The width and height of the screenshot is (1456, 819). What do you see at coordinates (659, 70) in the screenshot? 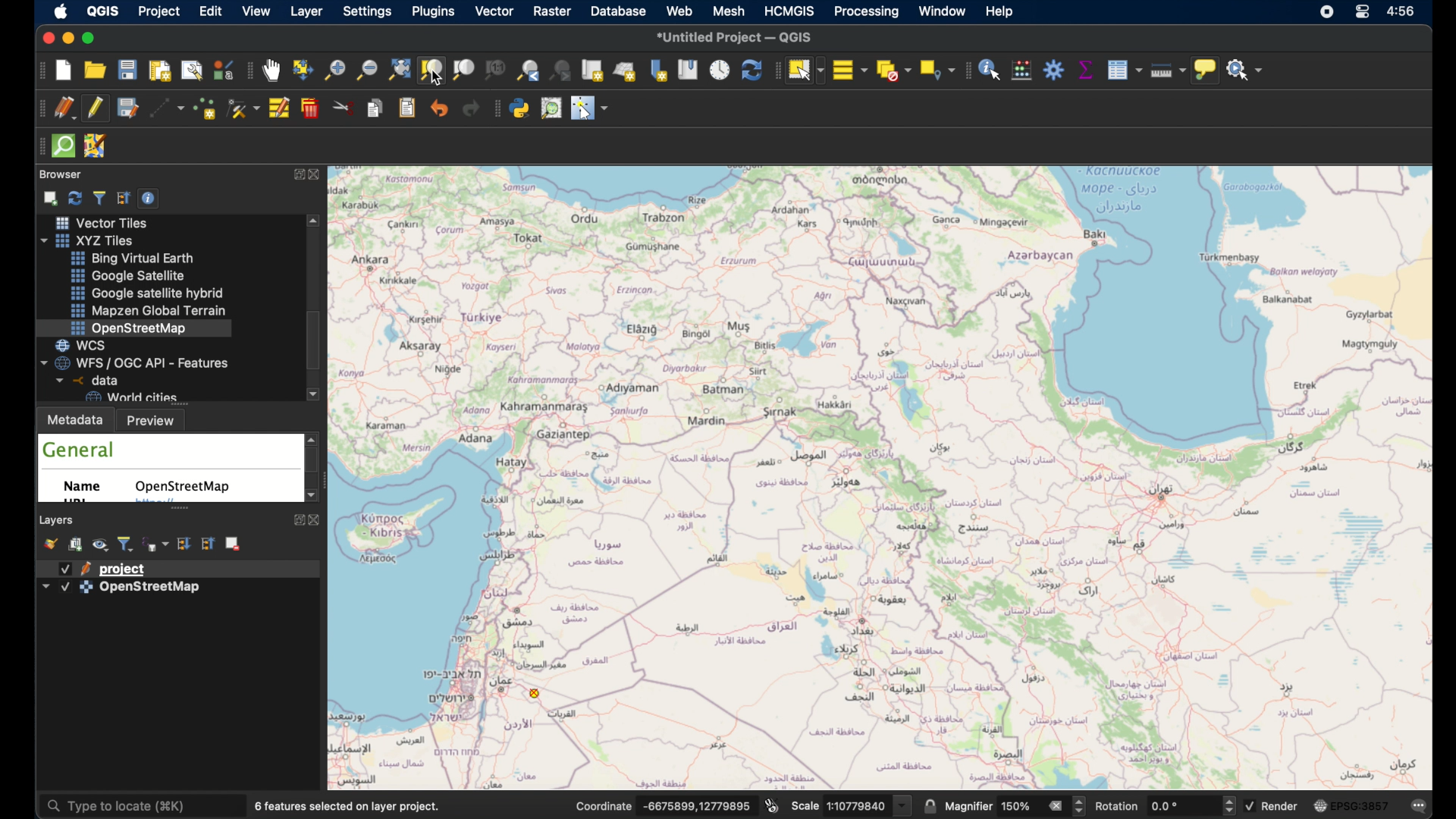
I see `new spatial bookmarks` at bounding box center [659, 70].